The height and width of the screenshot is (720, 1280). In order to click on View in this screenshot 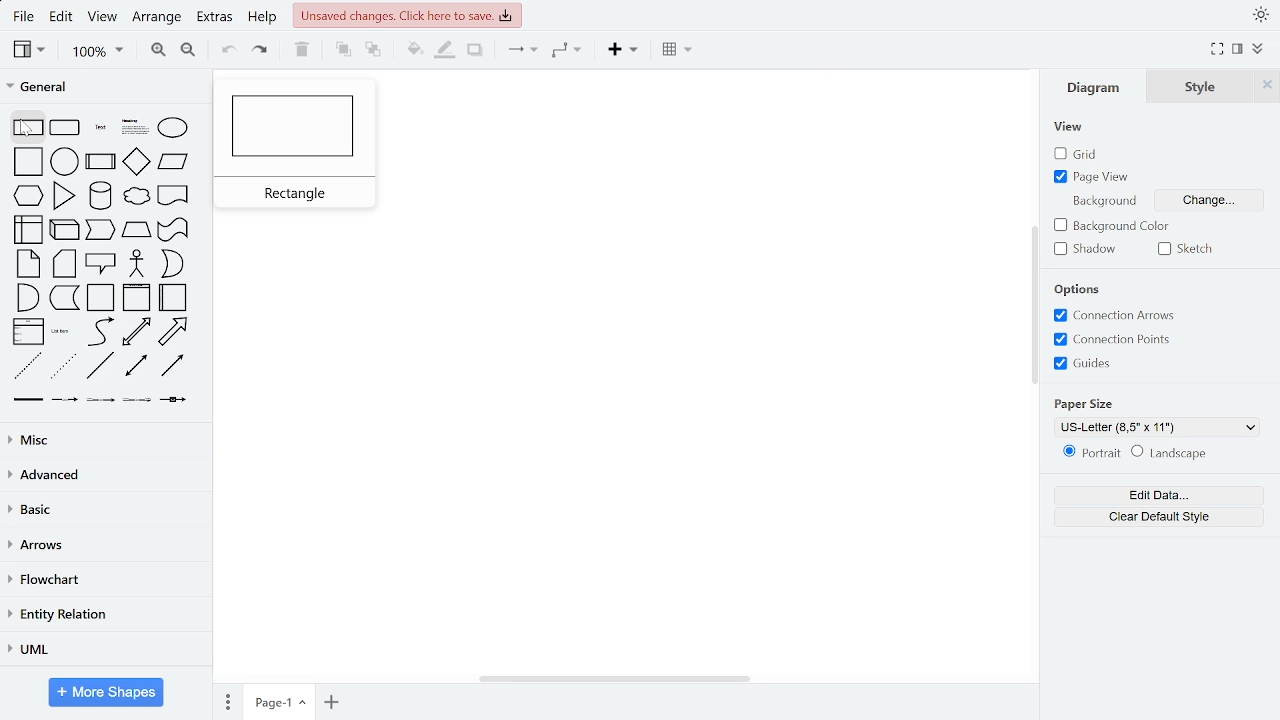, I will do `click(1070, 127)`.